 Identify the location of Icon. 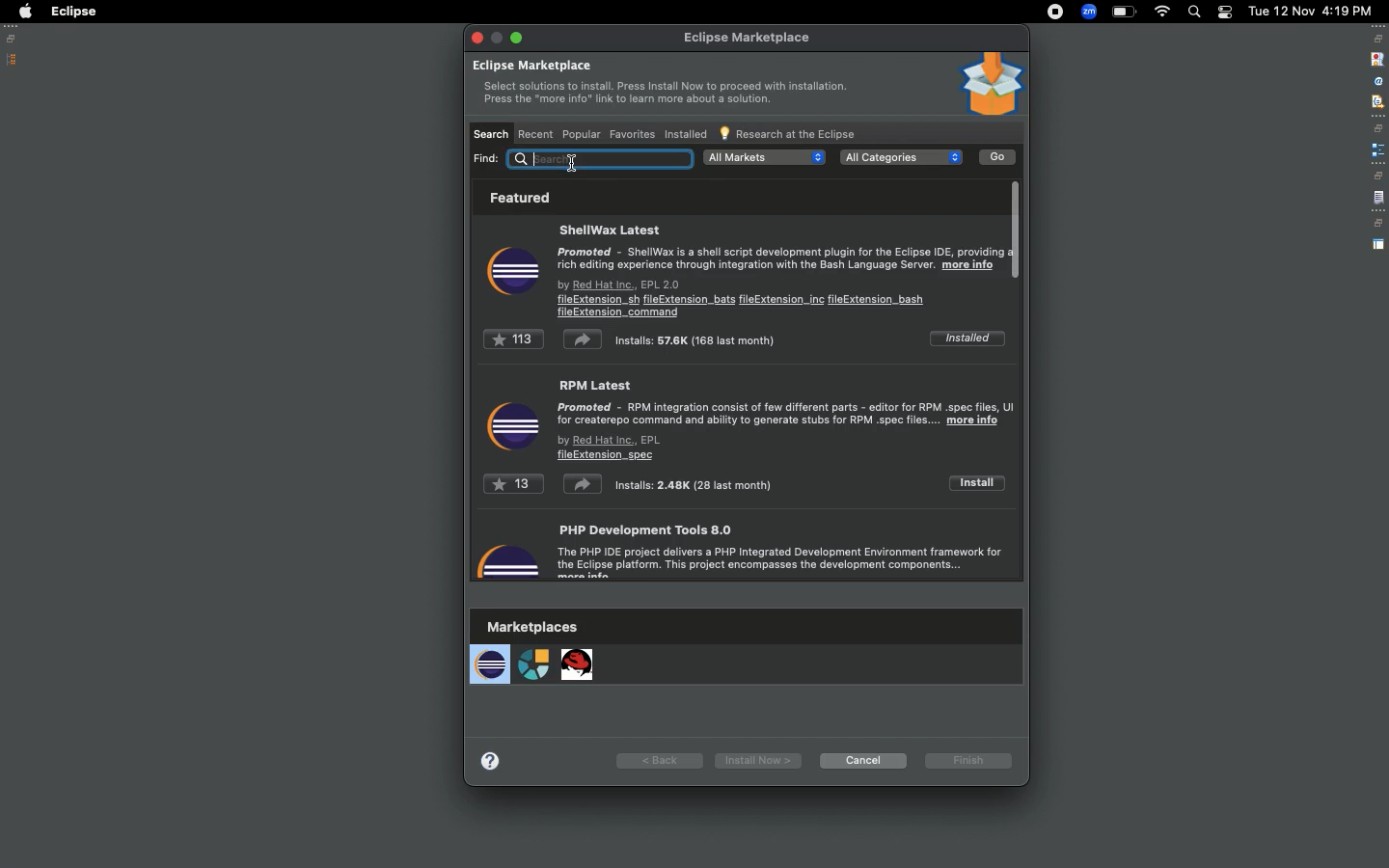
(511, 427).